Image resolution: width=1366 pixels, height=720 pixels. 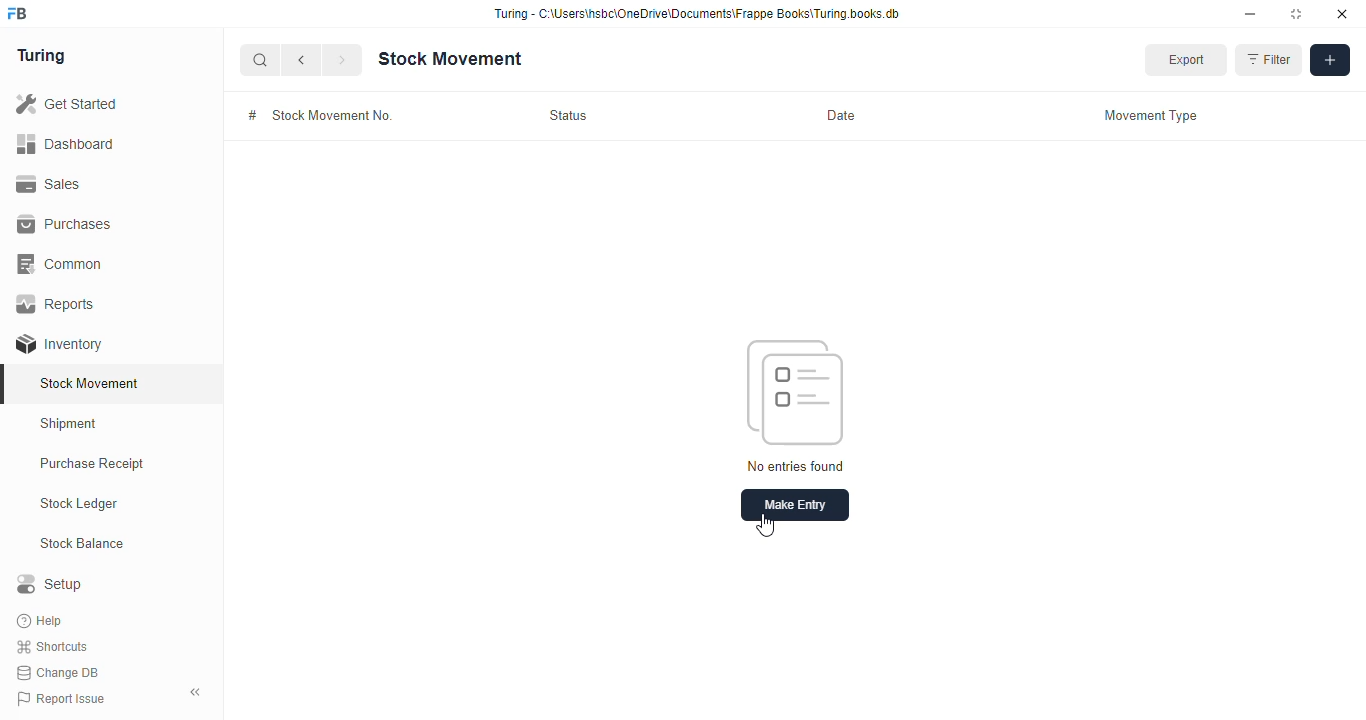 I want to click on help, so click(x=42, y=621).